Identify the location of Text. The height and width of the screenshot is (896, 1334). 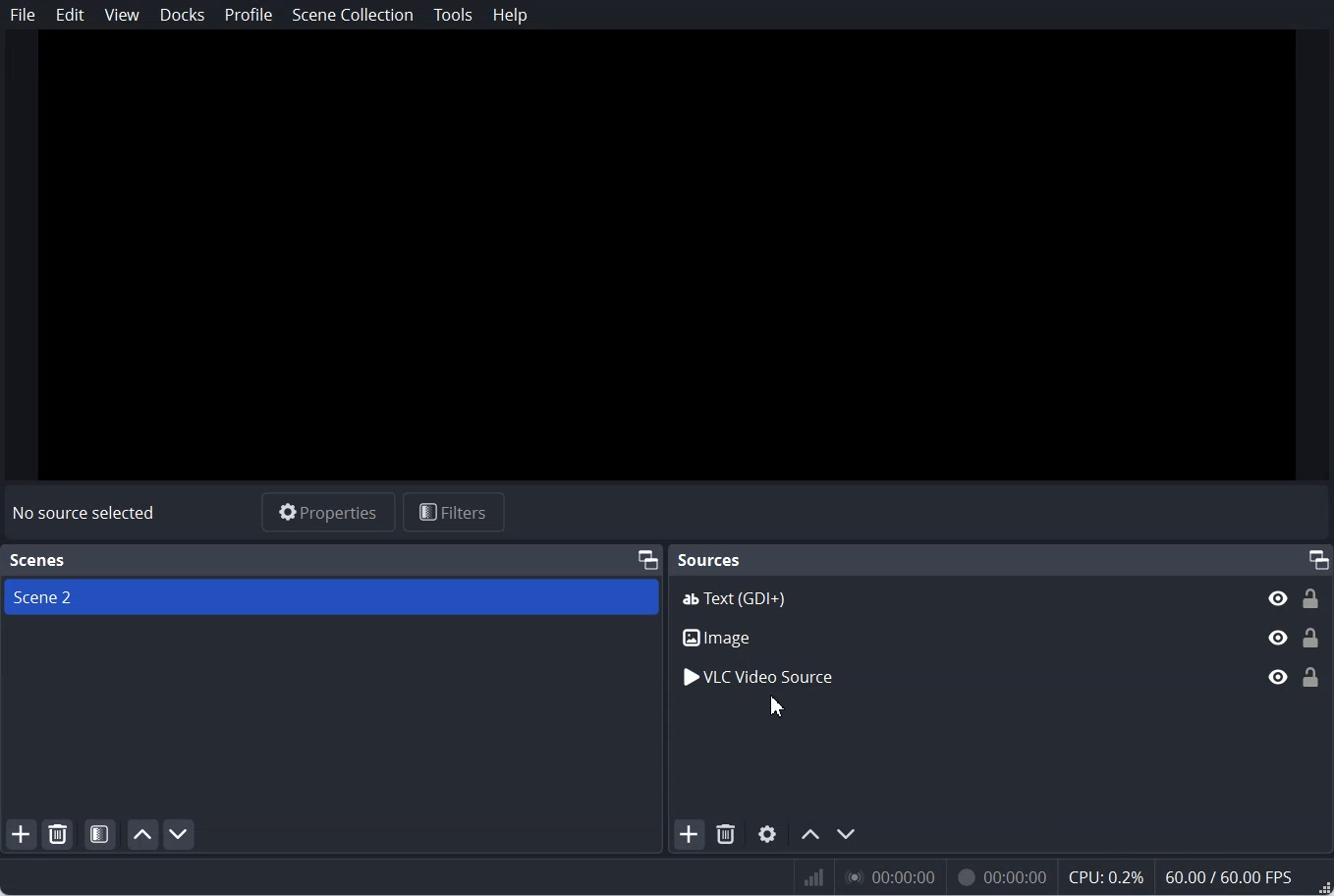
(86, 512).